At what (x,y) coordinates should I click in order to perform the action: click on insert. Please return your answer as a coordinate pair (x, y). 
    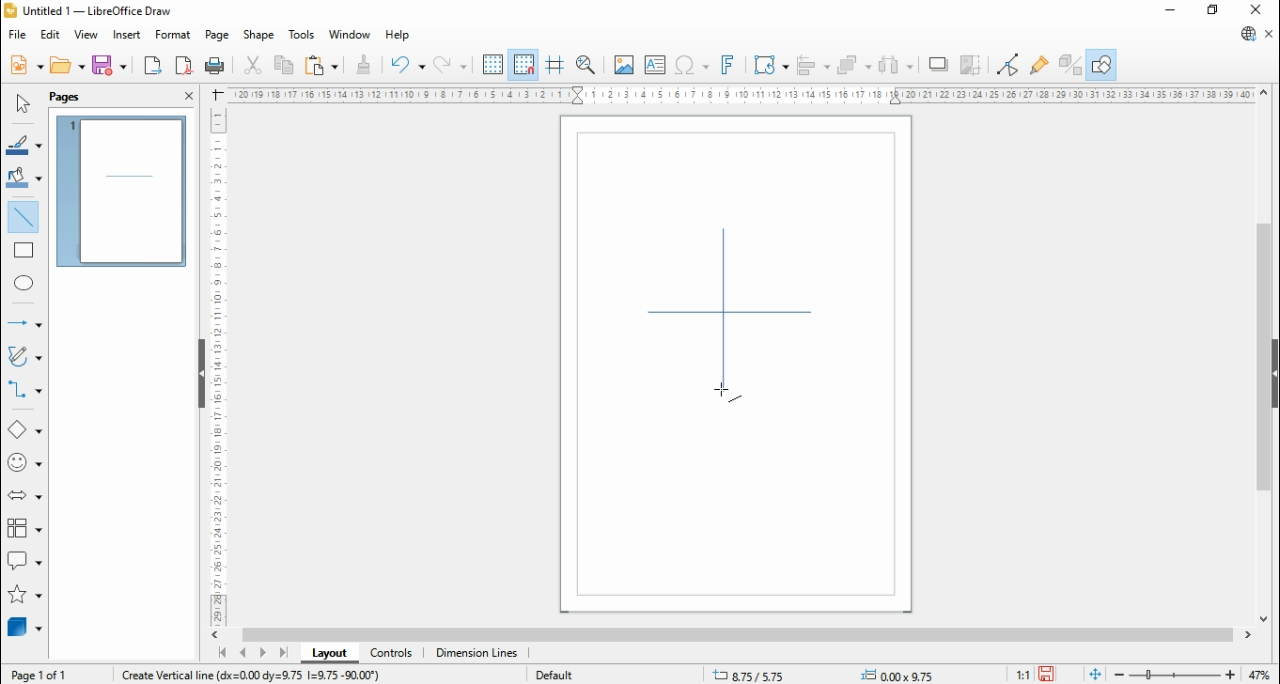
    Looking at the image, I should click on (126, 35).